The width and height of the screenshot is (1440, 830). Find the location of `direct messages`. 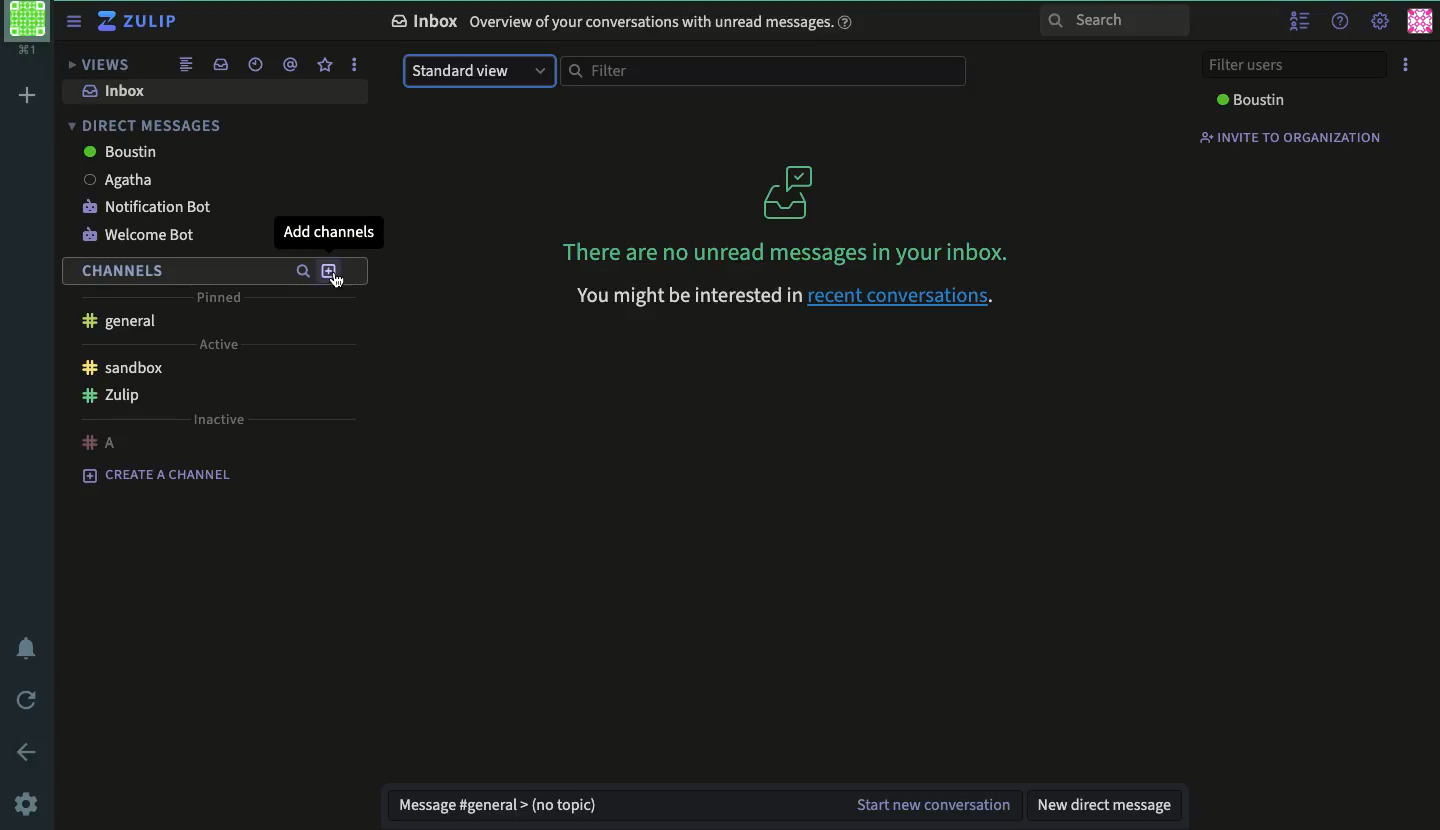

direct messages is located at coordinates (137, 127).